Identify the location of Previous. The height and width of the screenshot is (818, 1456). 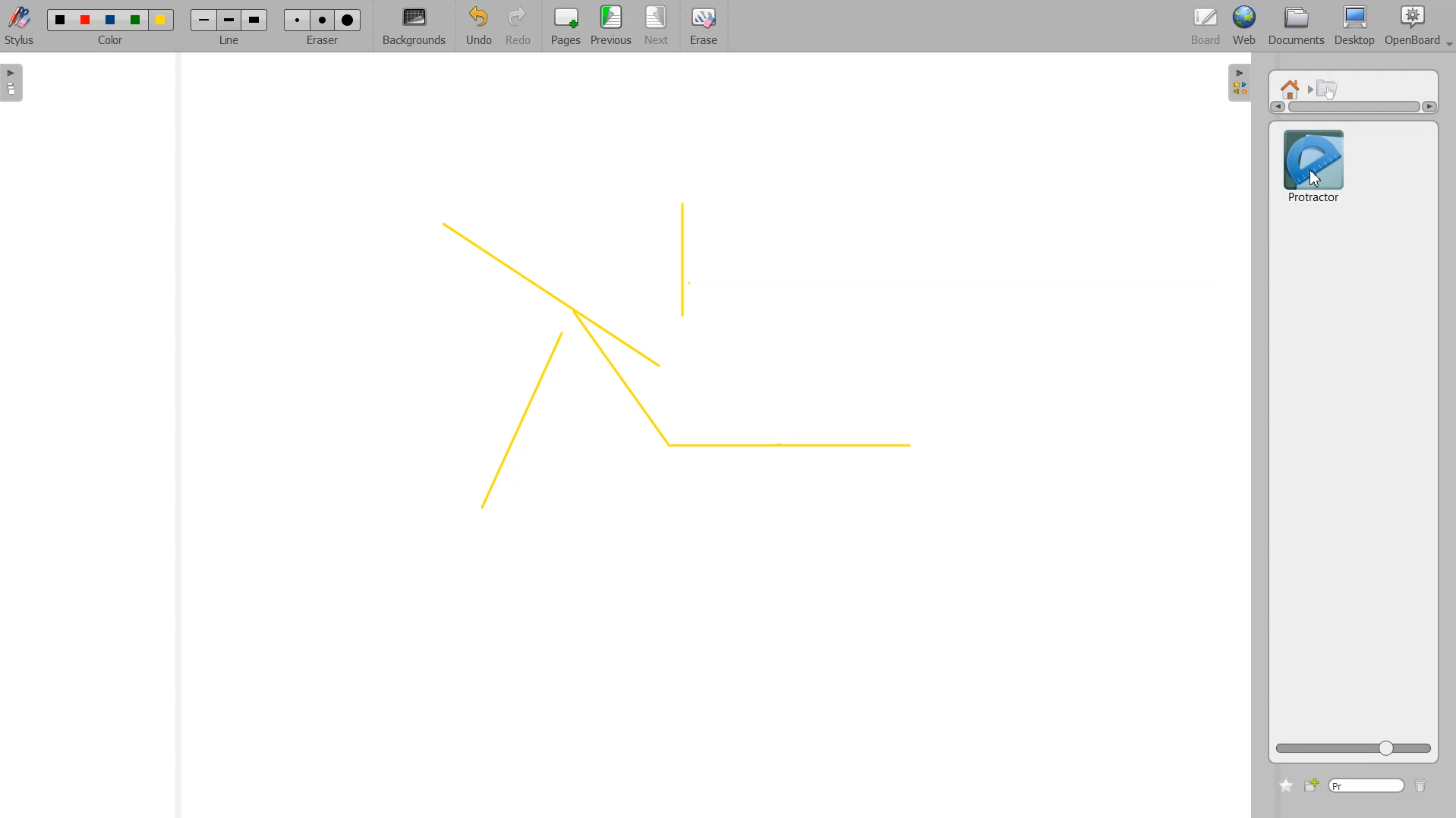
(613, 27).